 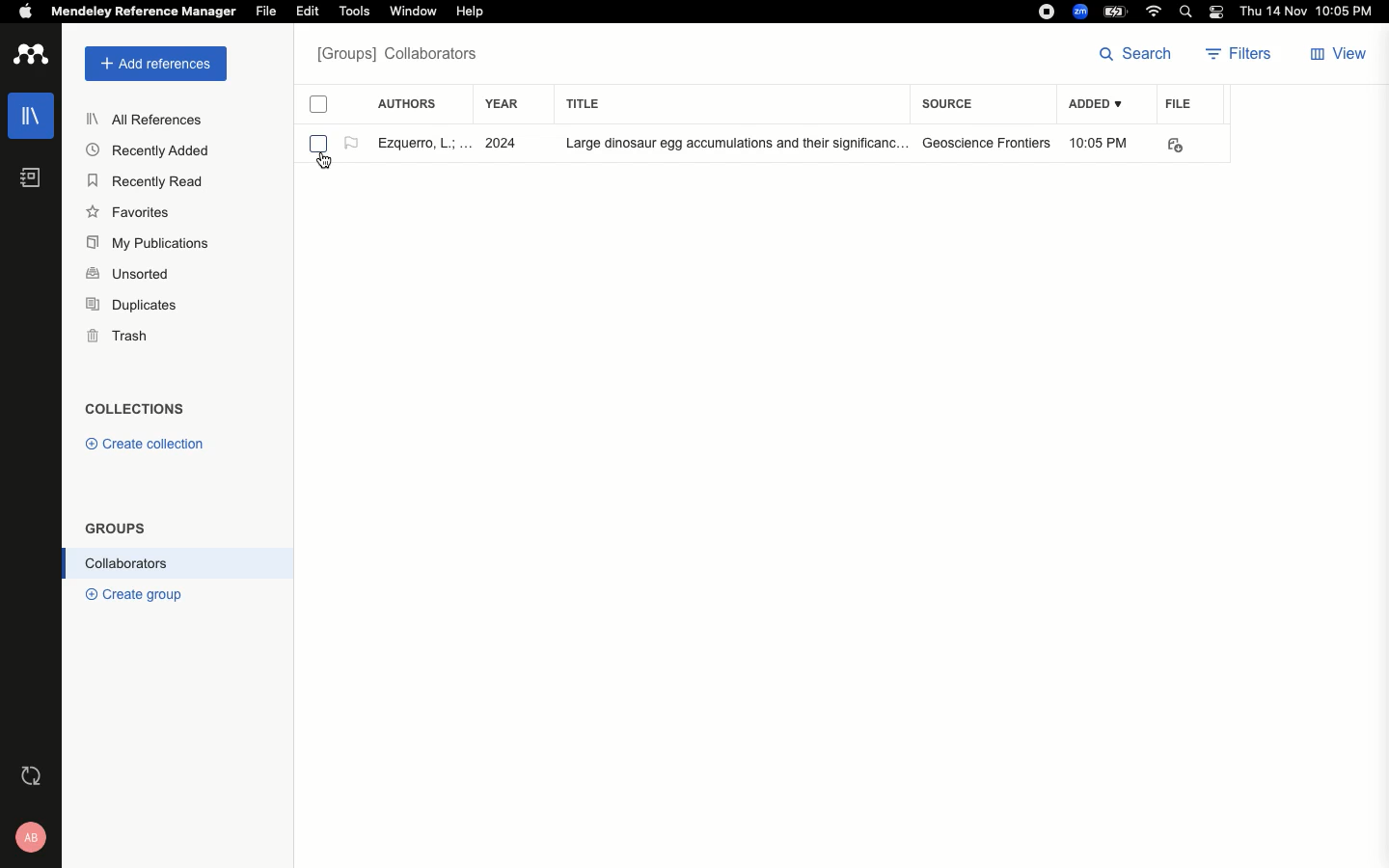 What do you see at coordinates (1188, 146) in the screenshot?
I see `PDF` at bounding box center [1188, 146].